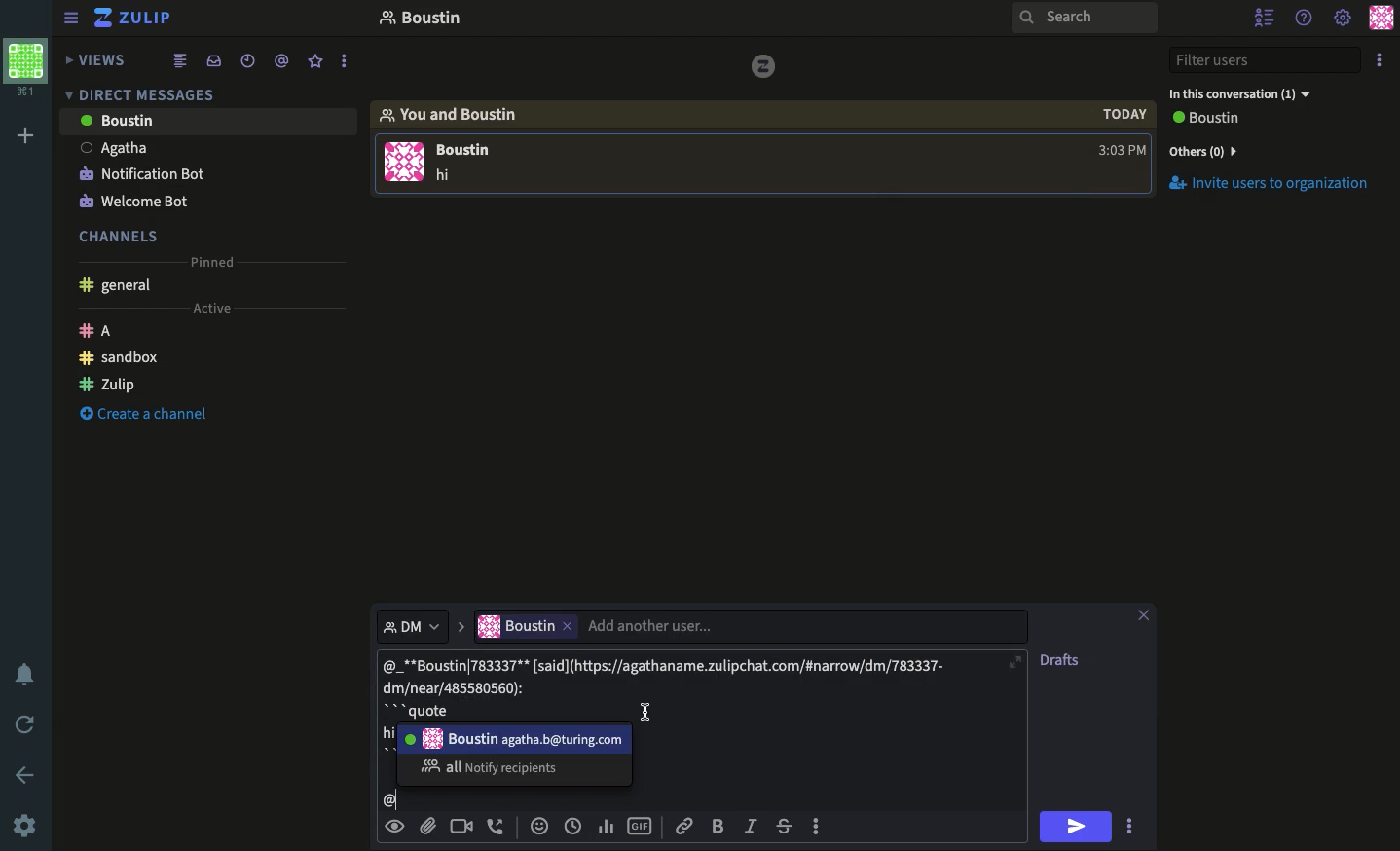  I want to click on Text, so click(671, 684).